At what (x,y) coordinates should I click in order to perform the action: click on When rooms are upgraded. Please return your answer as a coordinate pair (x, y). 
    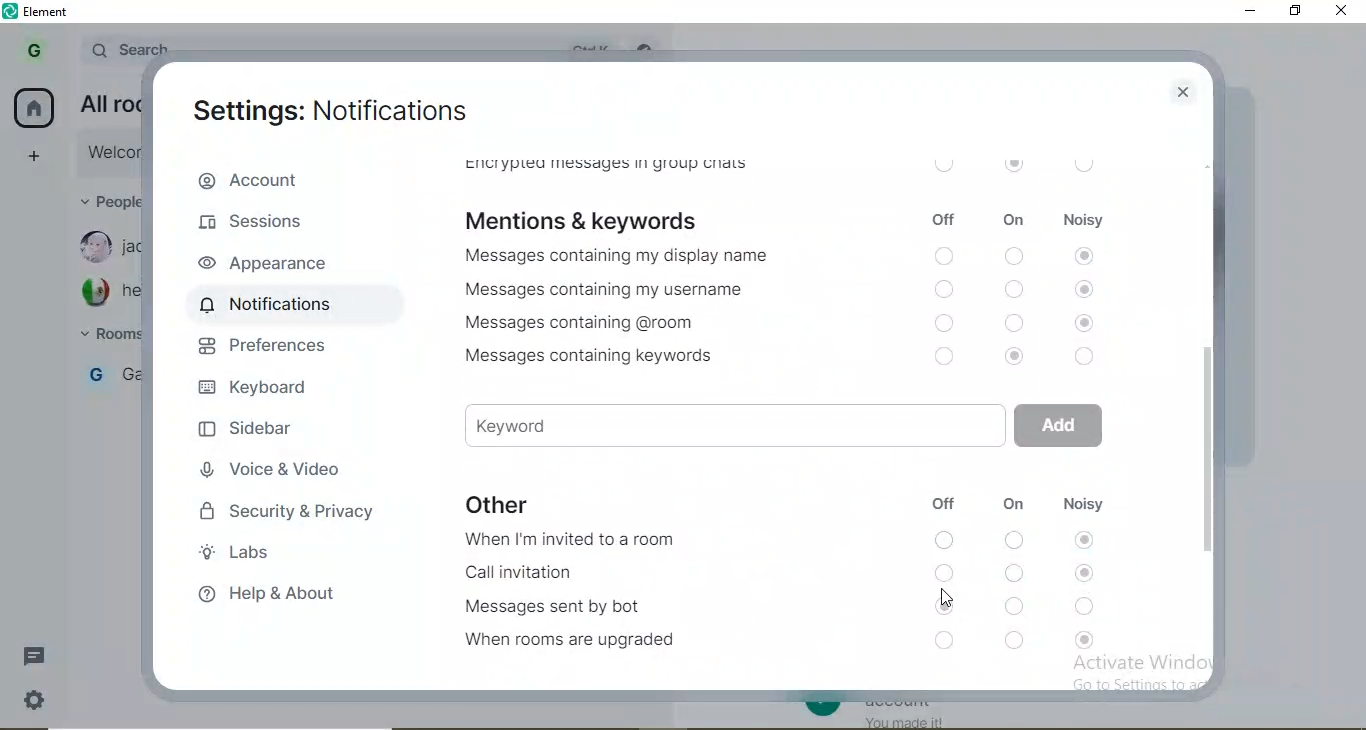
    Looking at the image, I should click on (565, 640).